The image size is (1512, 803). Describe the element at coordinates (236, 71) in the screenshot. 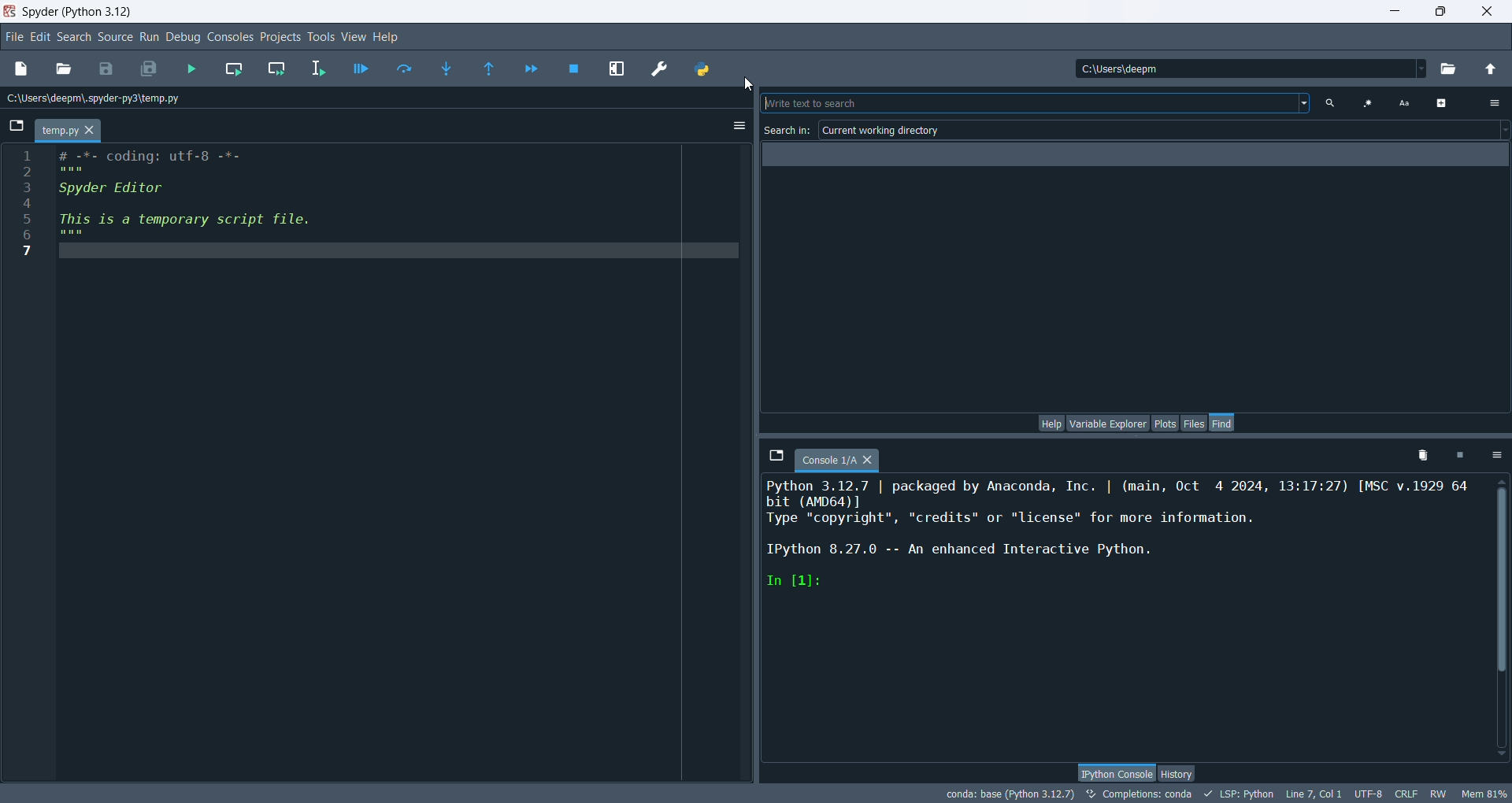

I see `run current cell` at that location.